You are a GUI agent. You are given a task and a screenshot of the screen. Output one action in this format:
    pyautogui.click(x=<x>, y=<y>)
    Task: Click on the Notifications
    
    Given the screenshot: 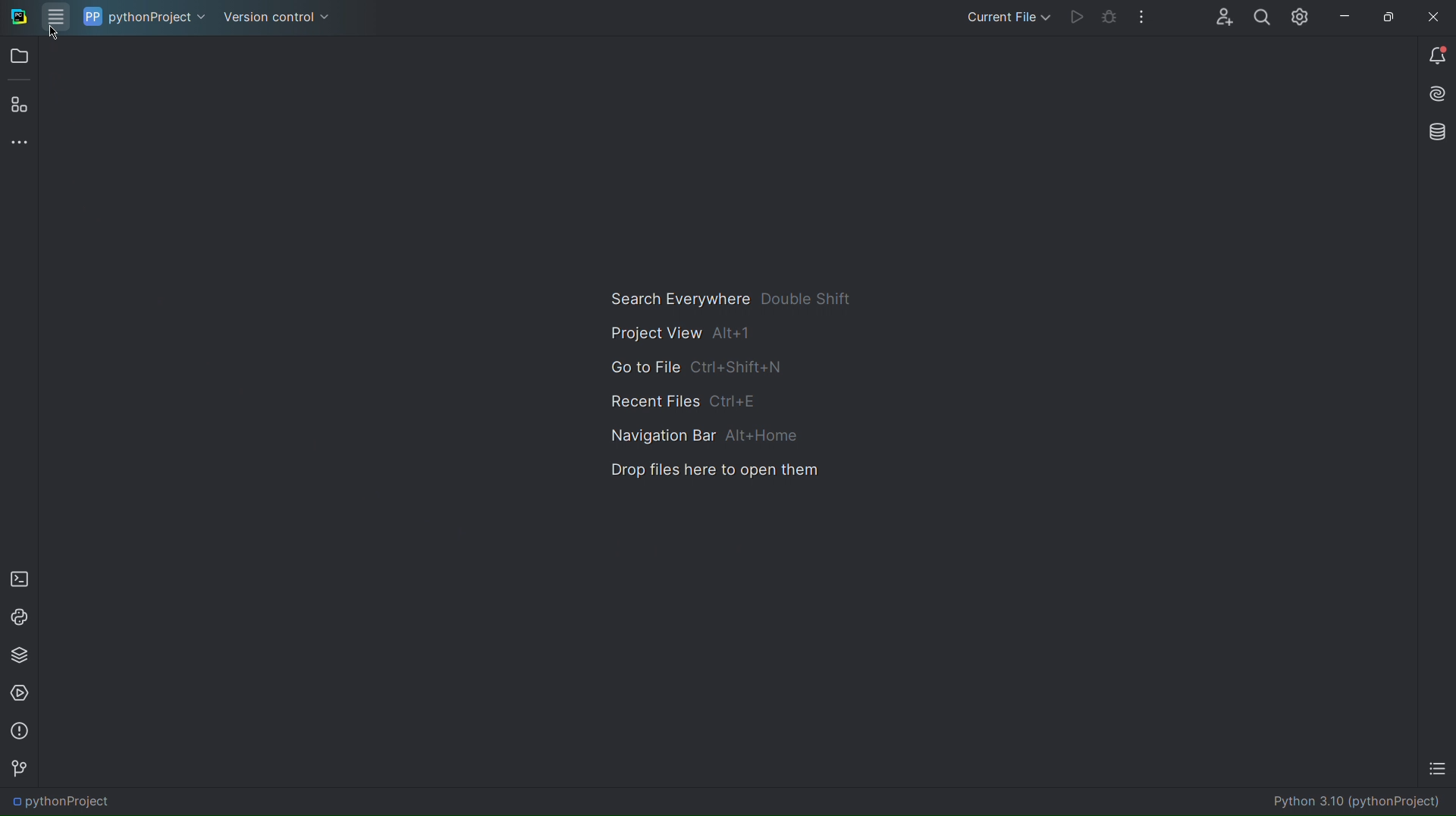 What is the action you would take?
    pyautogui.click(x=1435, y=55)
    